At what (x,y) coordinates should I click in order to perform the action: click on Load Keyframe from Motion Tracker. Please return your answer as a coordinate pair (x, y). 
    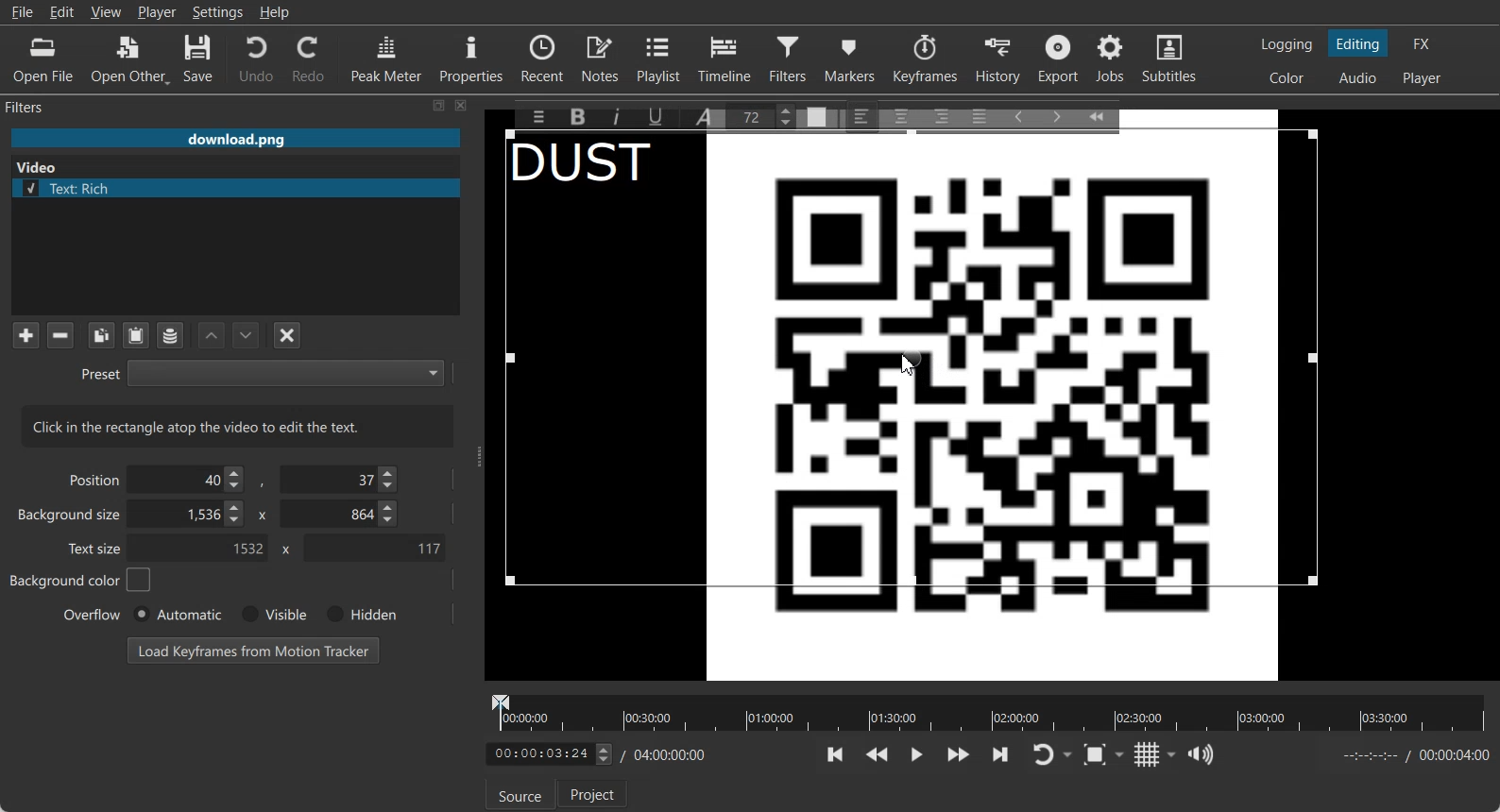
    Looking at the image, I should click on (253, 650).